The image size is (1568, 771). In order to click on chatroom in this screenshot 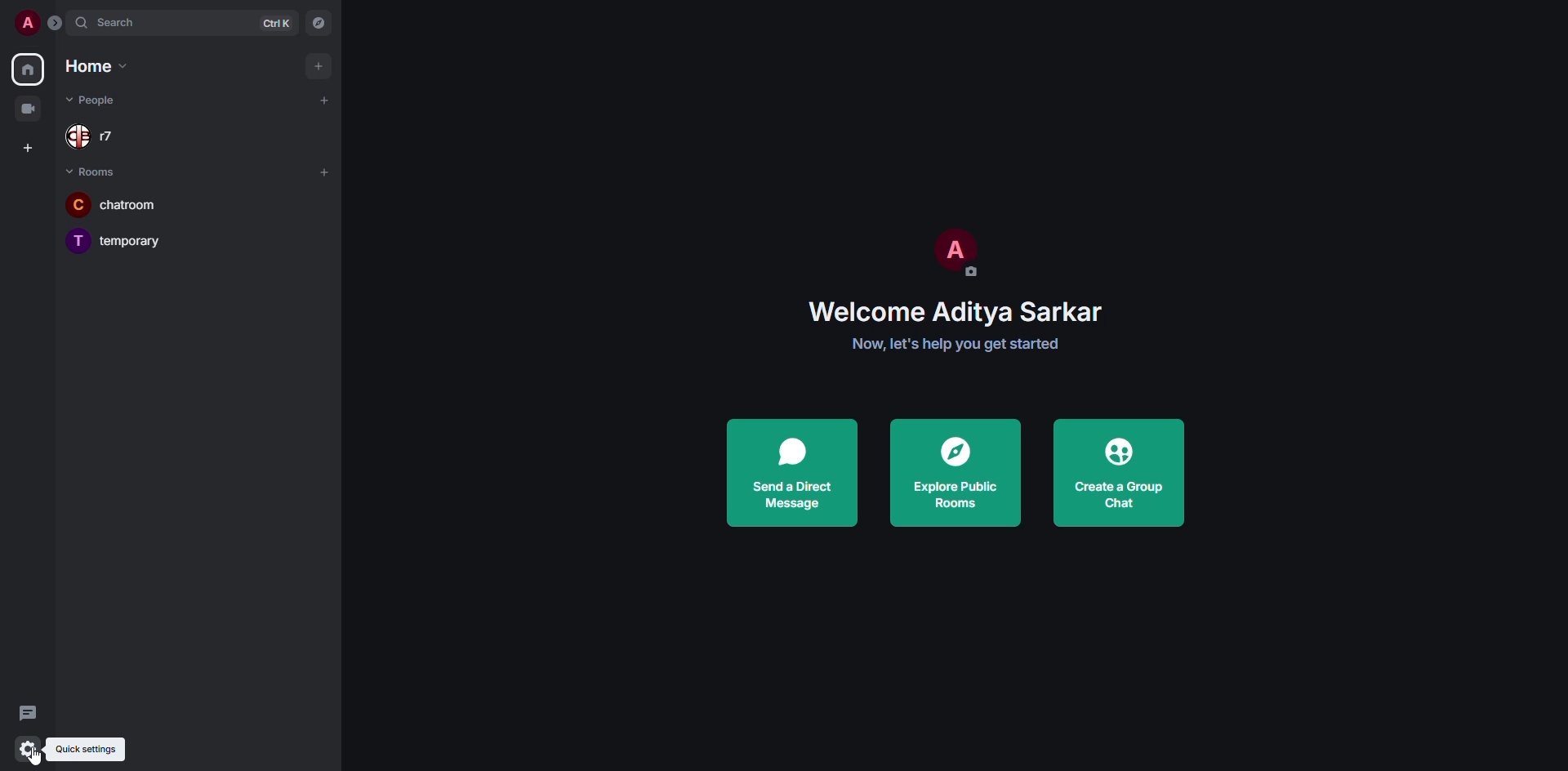, I will do `click(126, 203)`.